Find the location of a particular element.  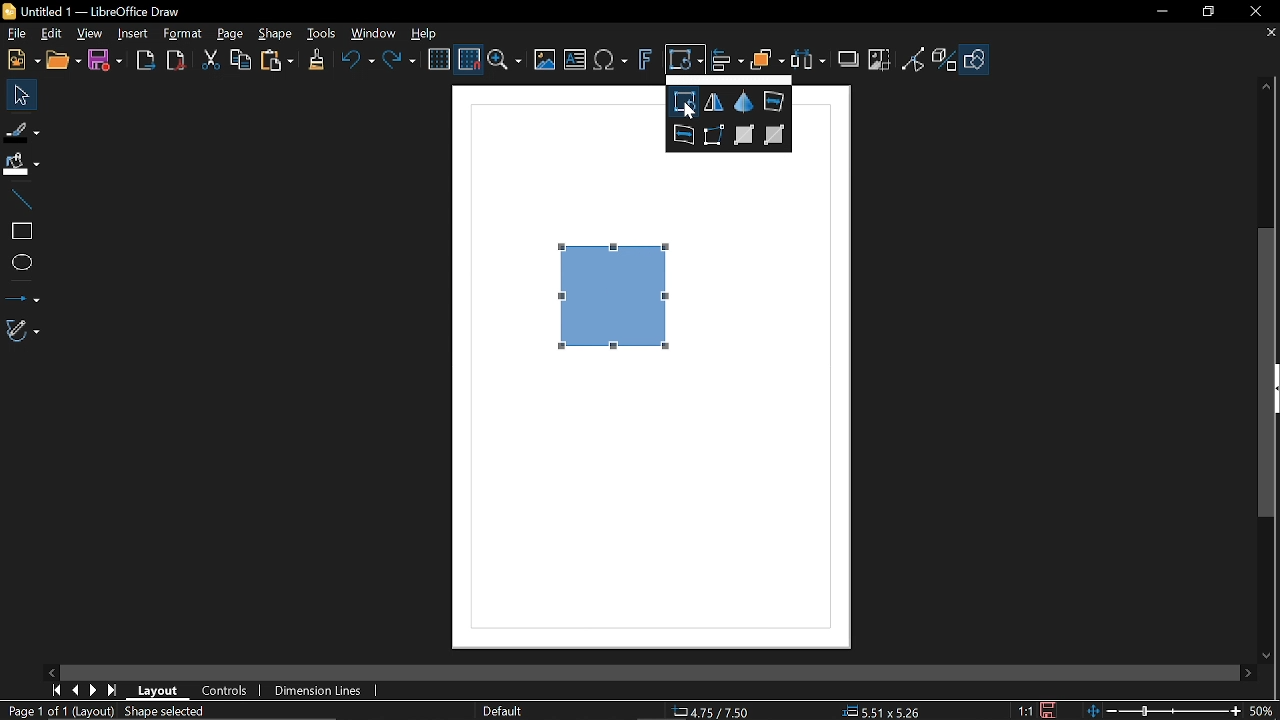

Go to first page  is located at coordinates (56, 691).